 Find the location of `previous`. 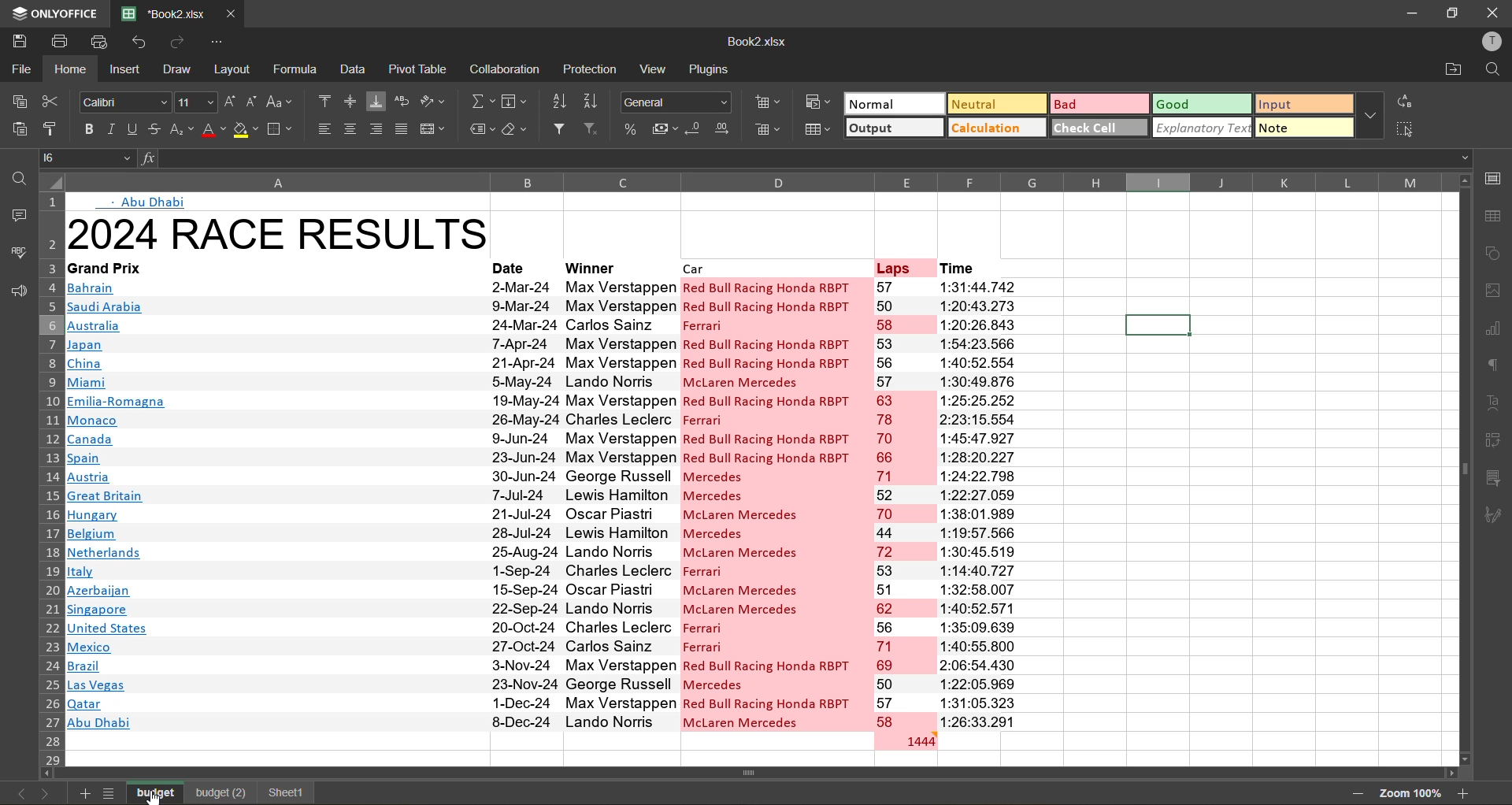

previous is located at coordinates (16, 793).